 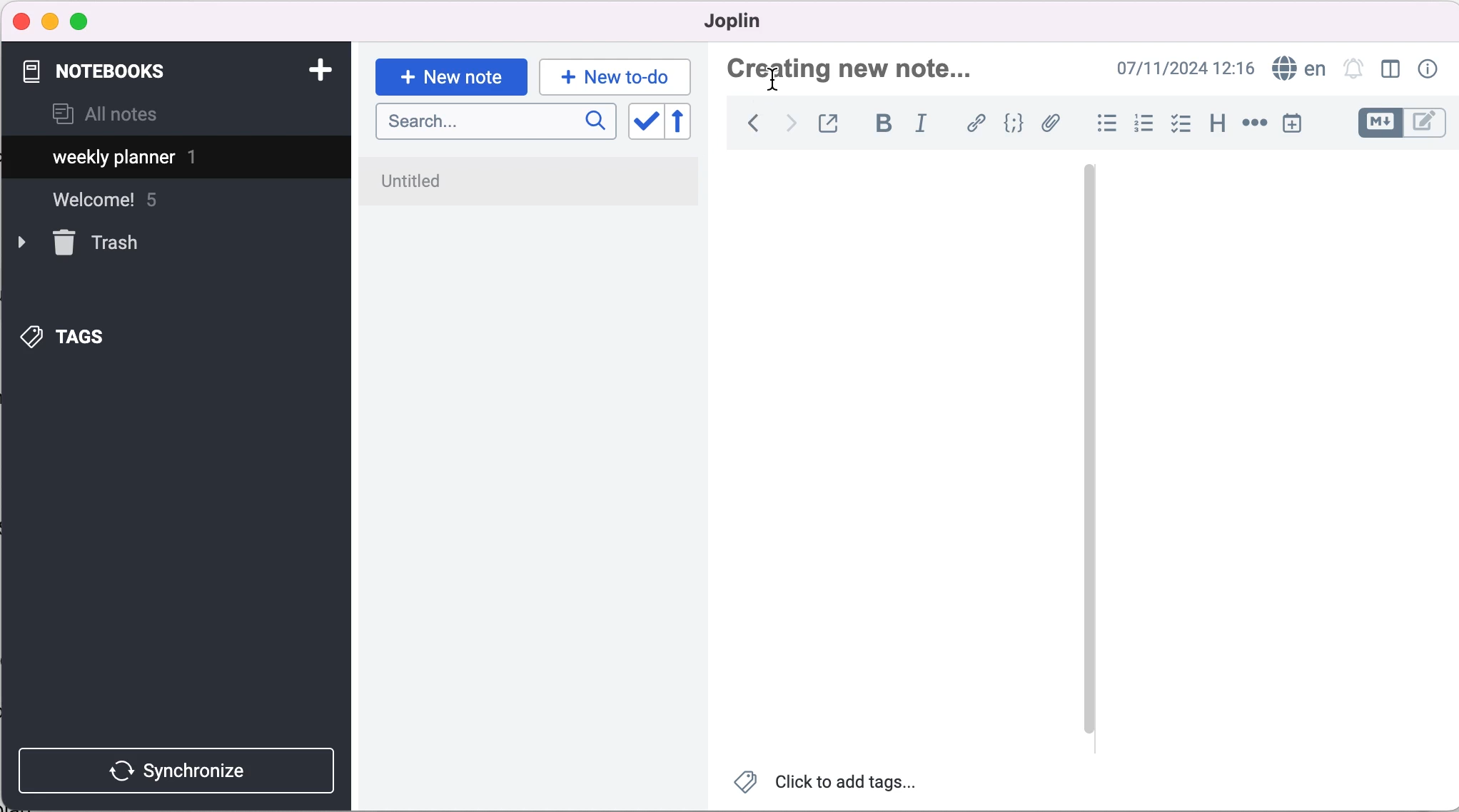 What do you see at coordinates (1089, 448) in the screenshot?
I see `vertical slider` at bounding box center [1089, 448].